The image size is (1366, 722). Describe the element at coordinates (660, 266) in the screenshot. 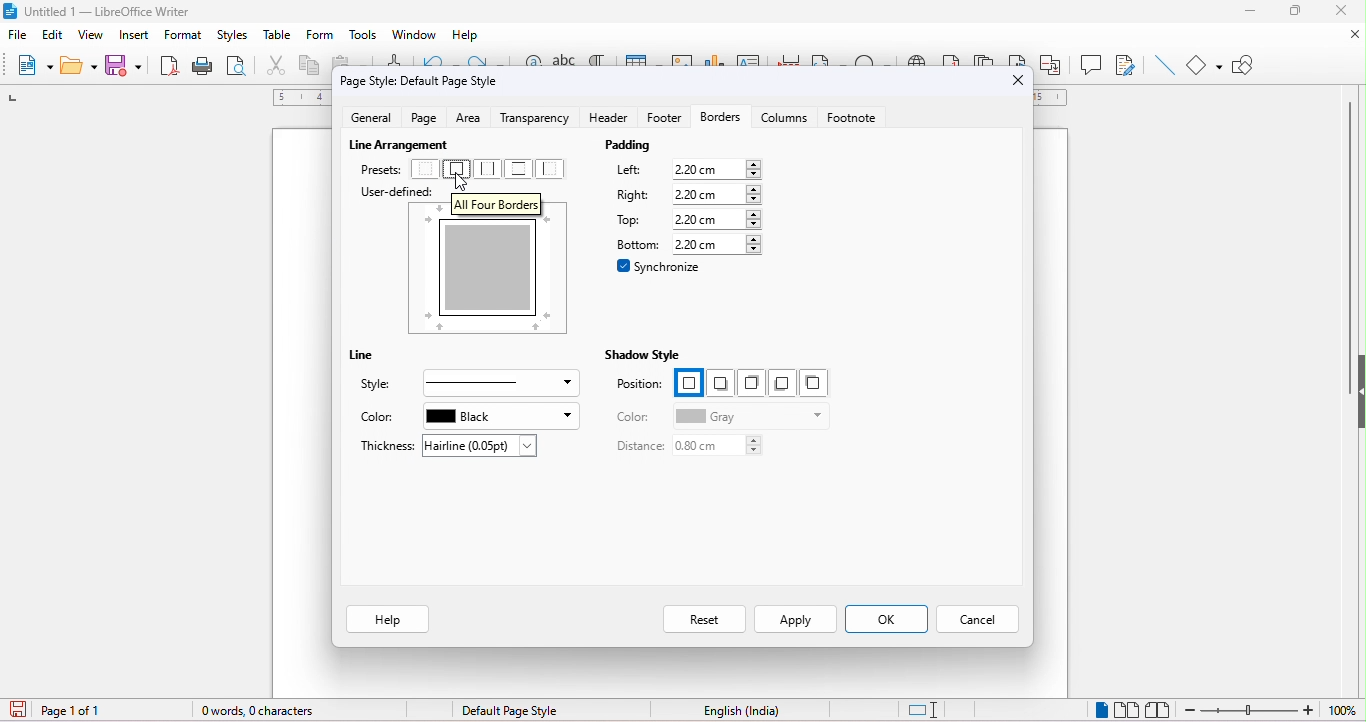

I see `synchronize` at that location.